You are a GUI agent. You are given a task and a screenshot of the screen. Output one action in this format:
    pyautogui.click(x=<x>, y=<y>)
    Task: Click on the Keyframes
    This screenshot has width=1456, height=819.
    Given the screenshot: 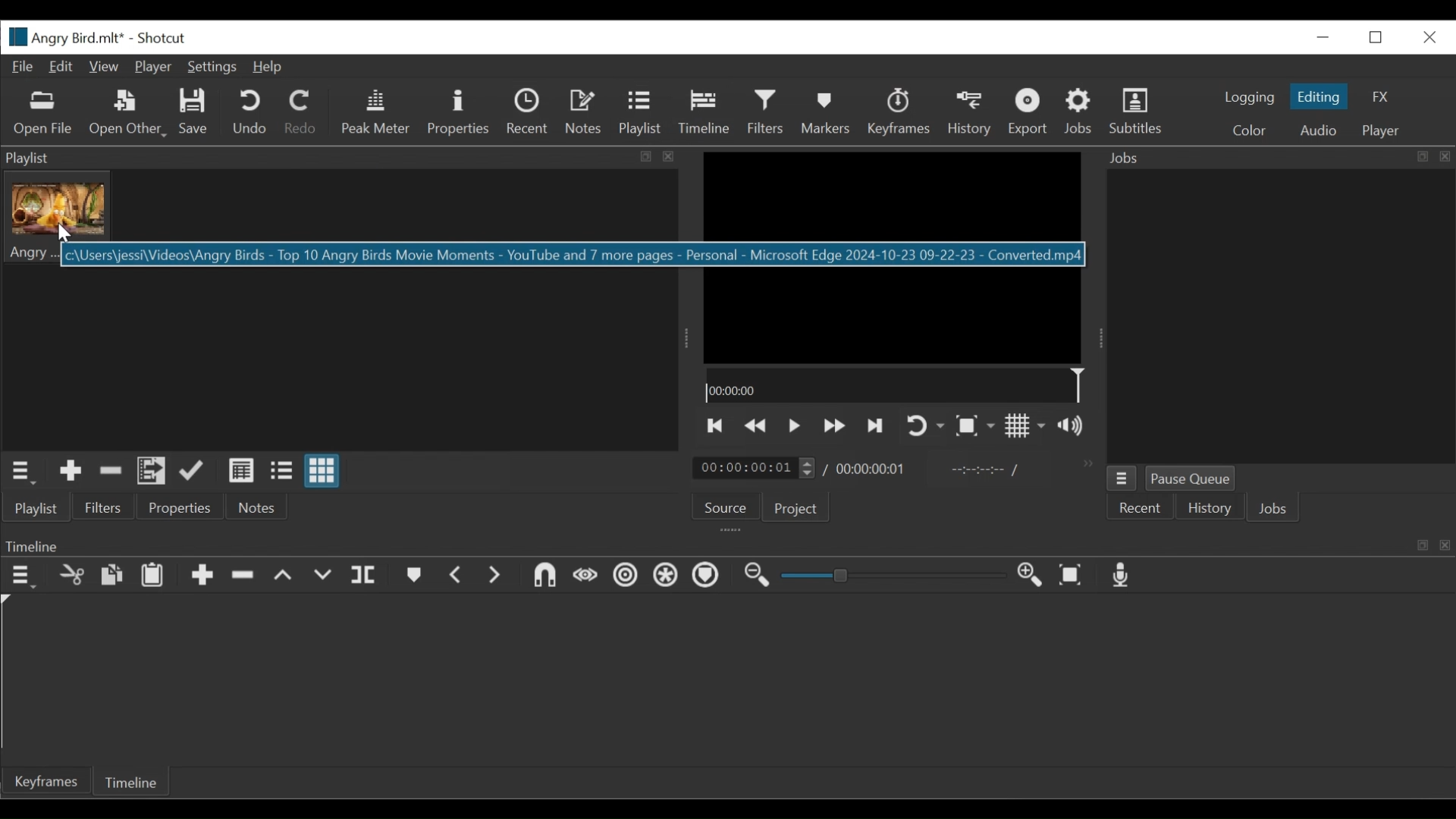 What is the action you would take?
    pyautogui.click(x=899, y=113)
    